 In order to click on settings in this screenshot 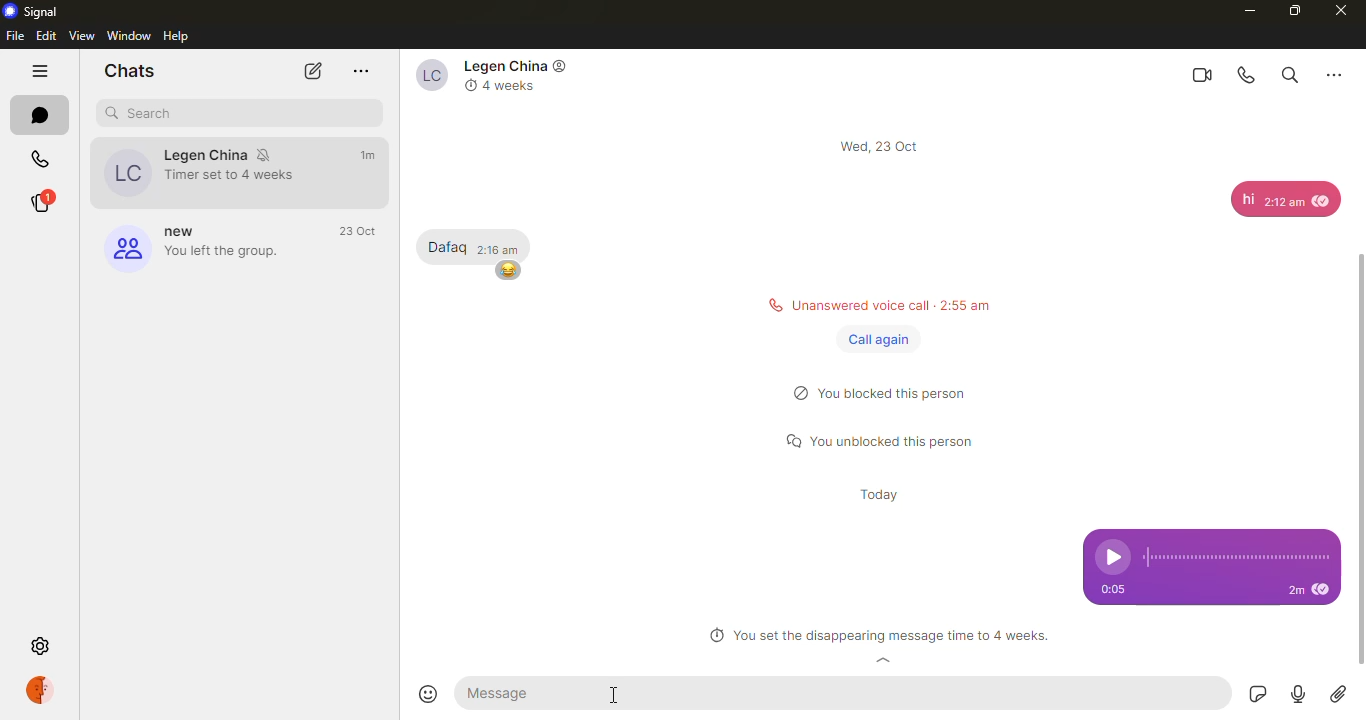, I will do `click(43, 647)`.